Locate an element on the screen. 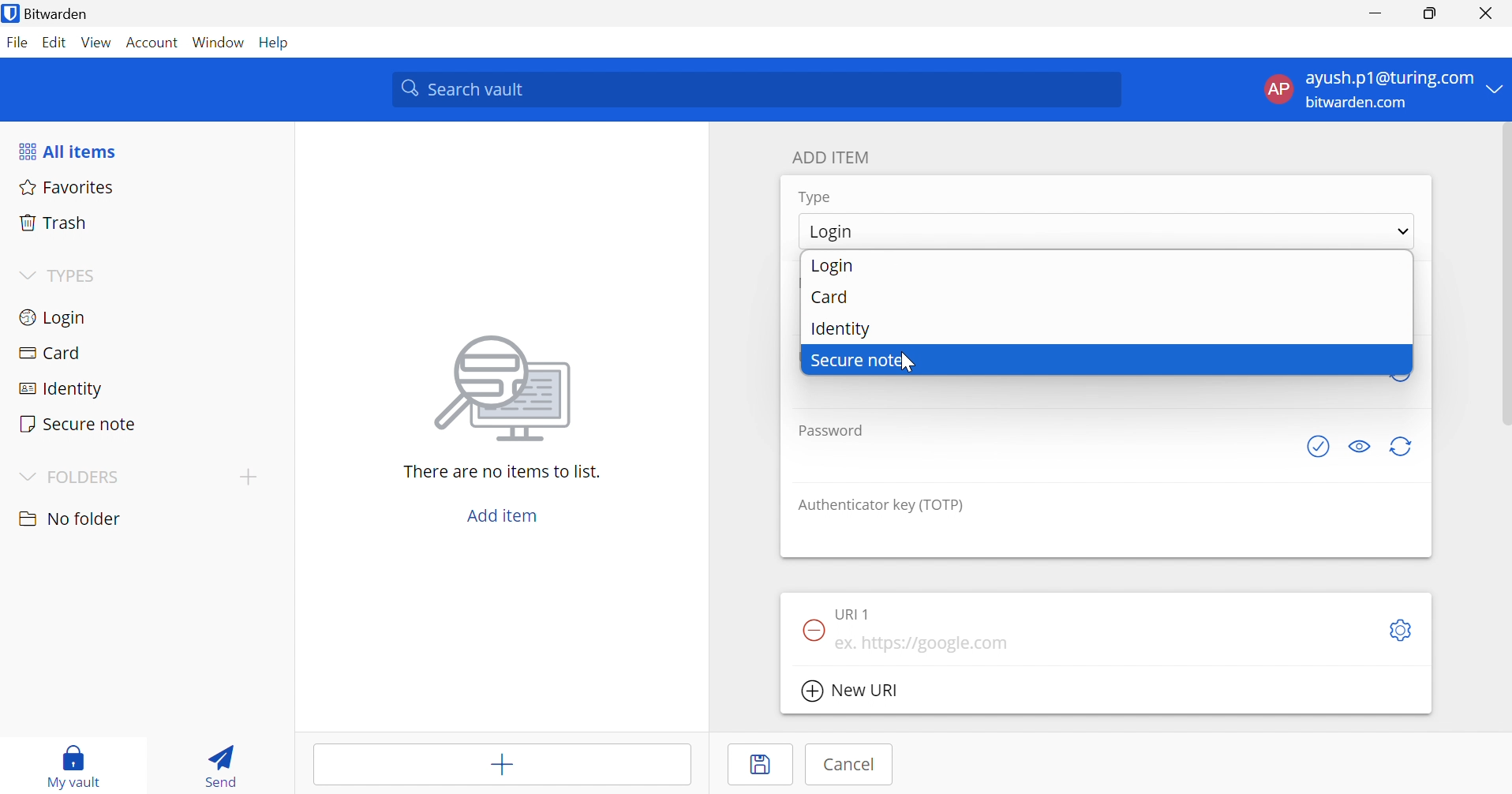 This screenshot has width=1512, height=794. Drop Down is located at coordinates (1403, 233).